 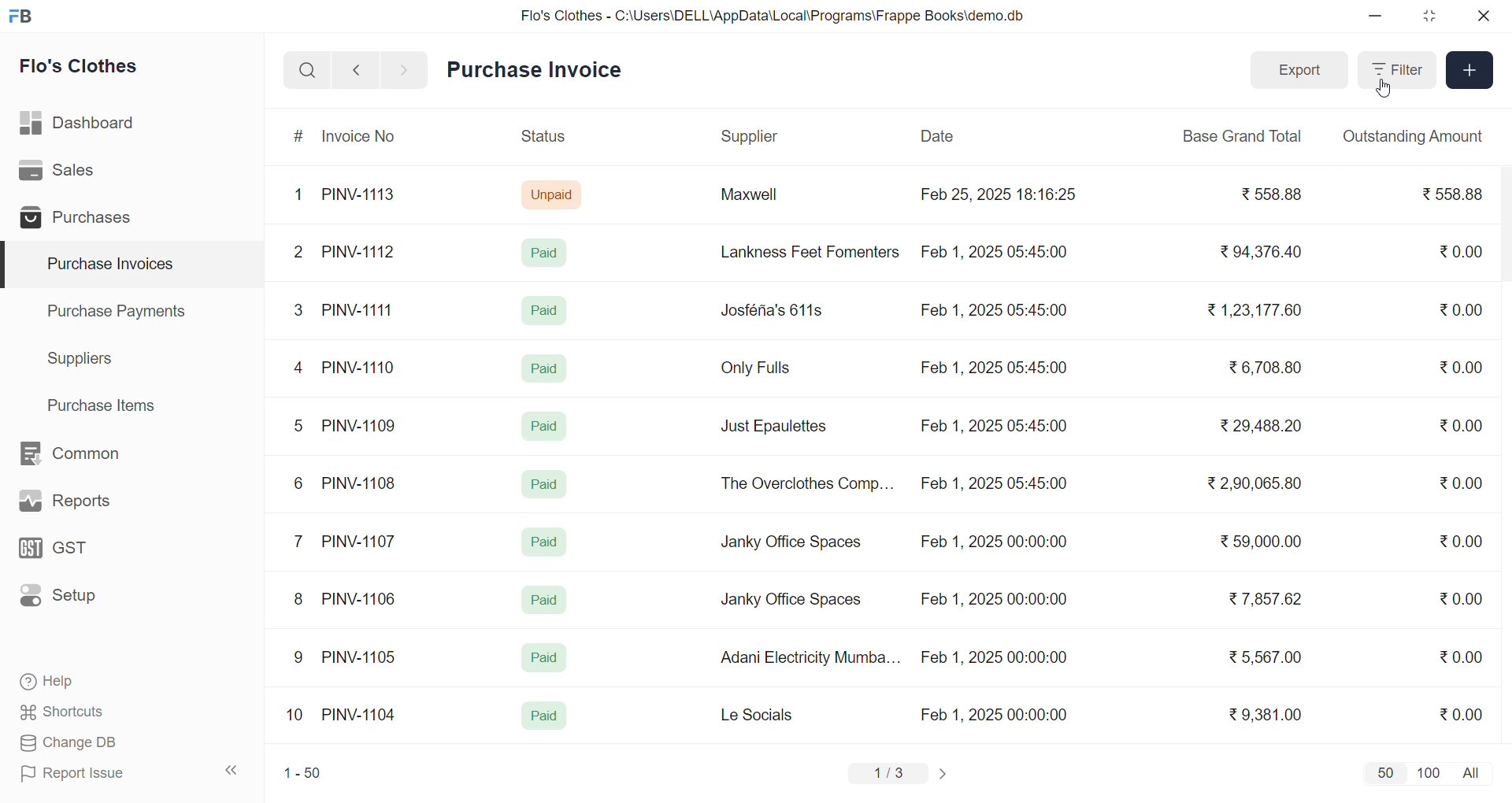 I want to click on Paid, so click(x=545, y=310).